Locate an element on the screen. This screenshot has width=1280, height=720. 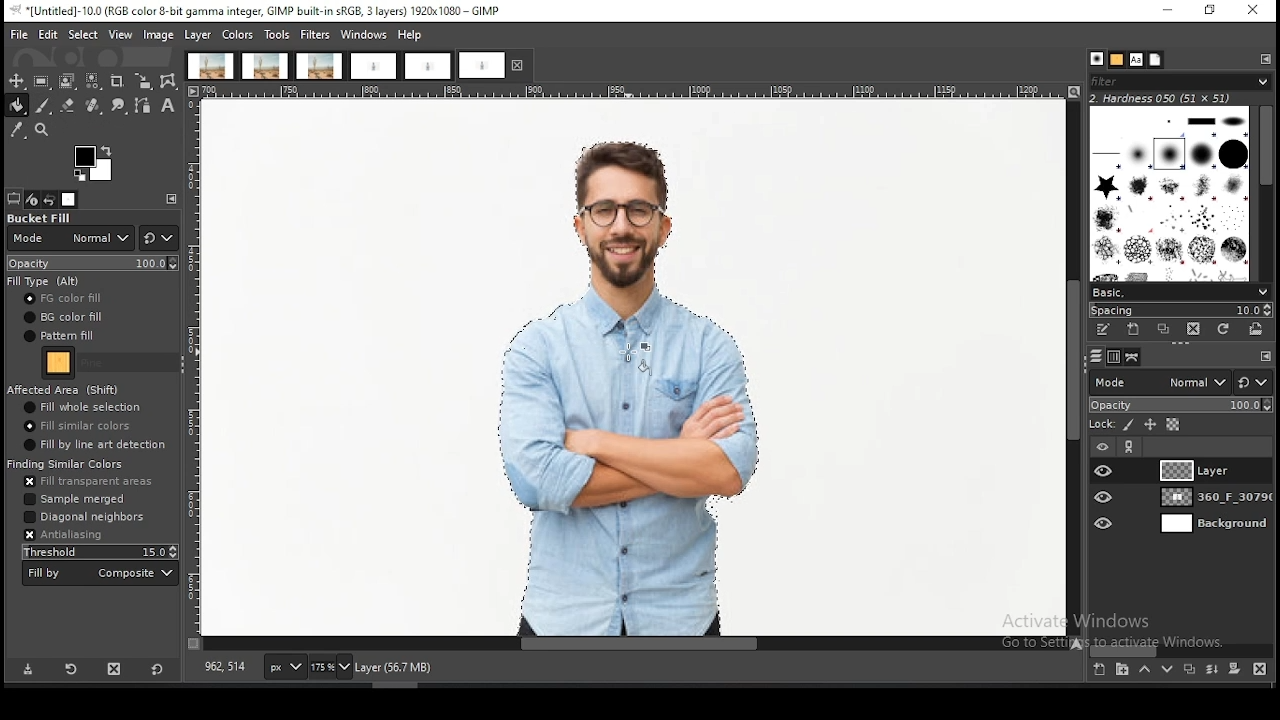
smudge tool is located at coordinates (119, 106).